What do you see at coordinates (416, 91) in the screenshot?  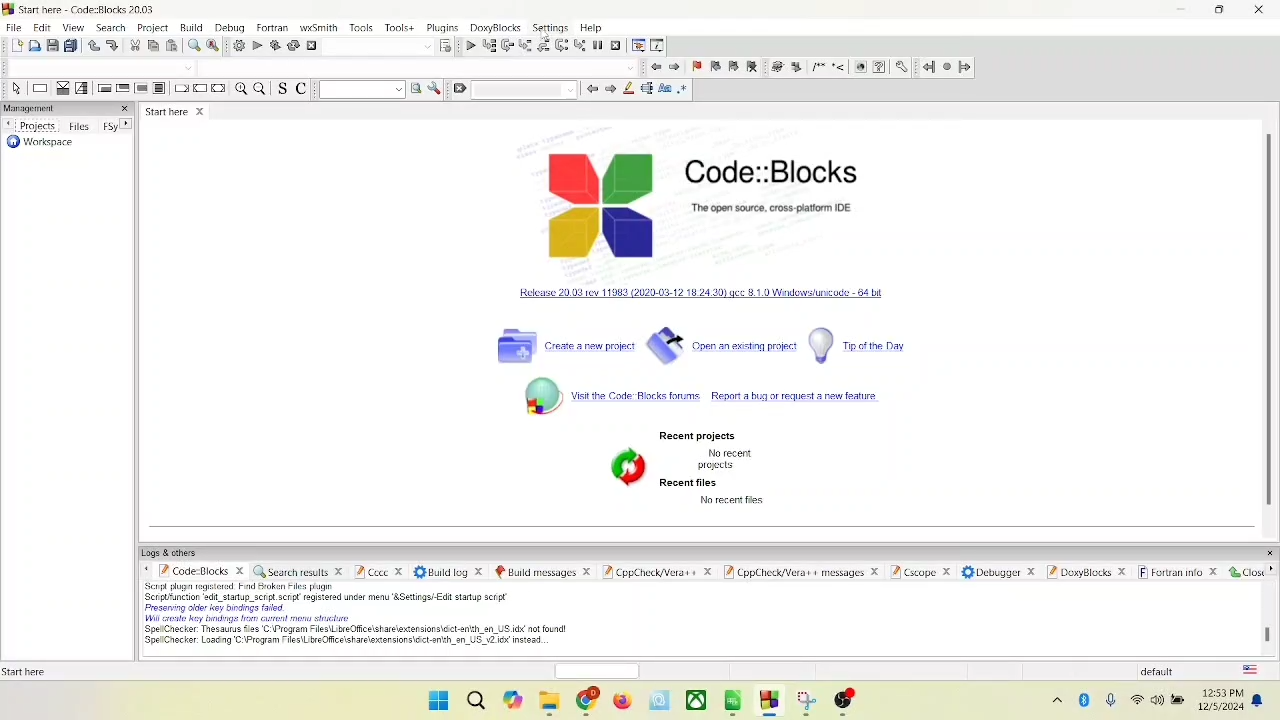 I see `run search` at bounding box center [416, 91].